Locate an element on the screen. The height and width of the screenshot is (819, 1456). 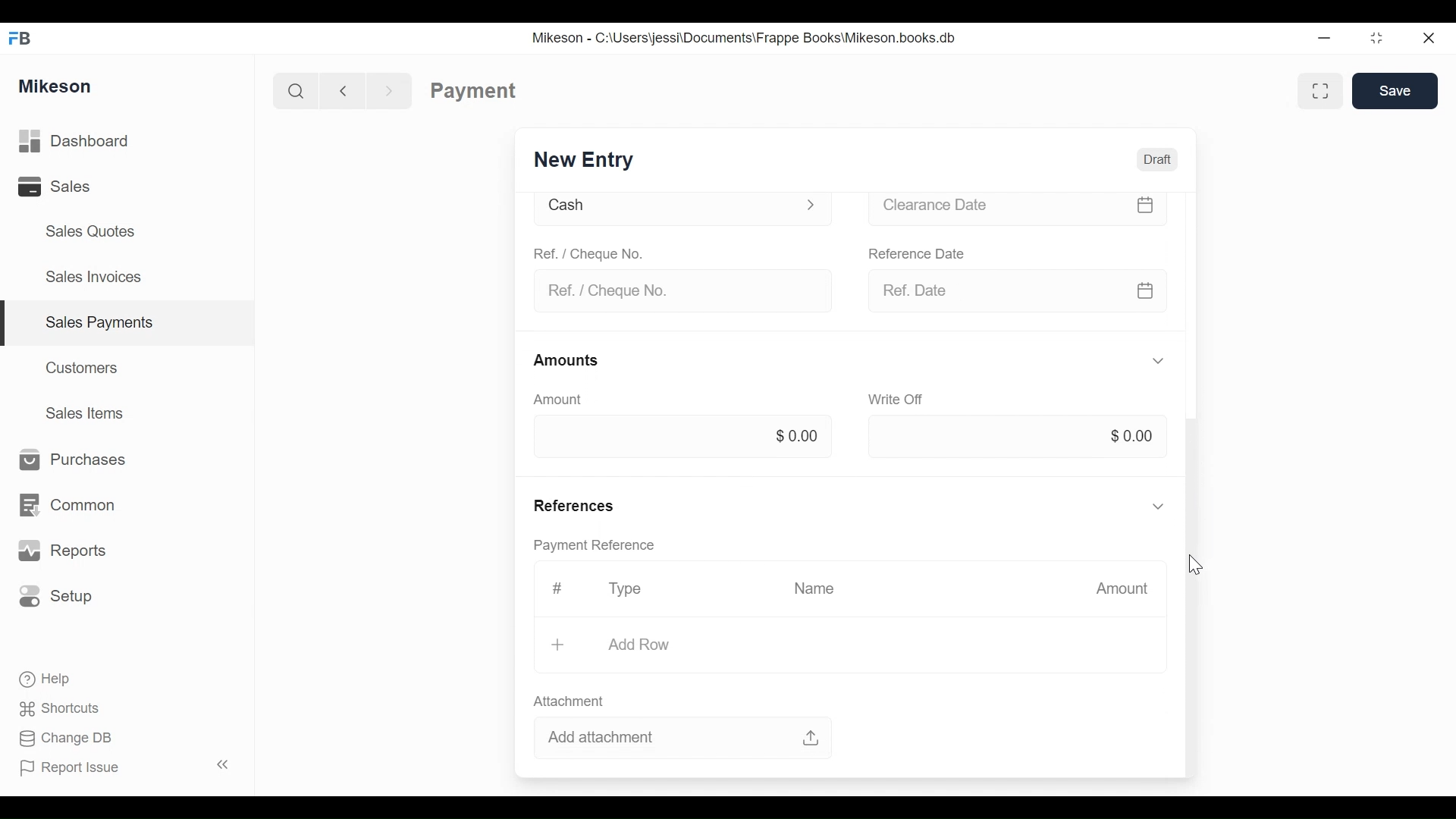
Collapse is located at coordinates (226, 766).